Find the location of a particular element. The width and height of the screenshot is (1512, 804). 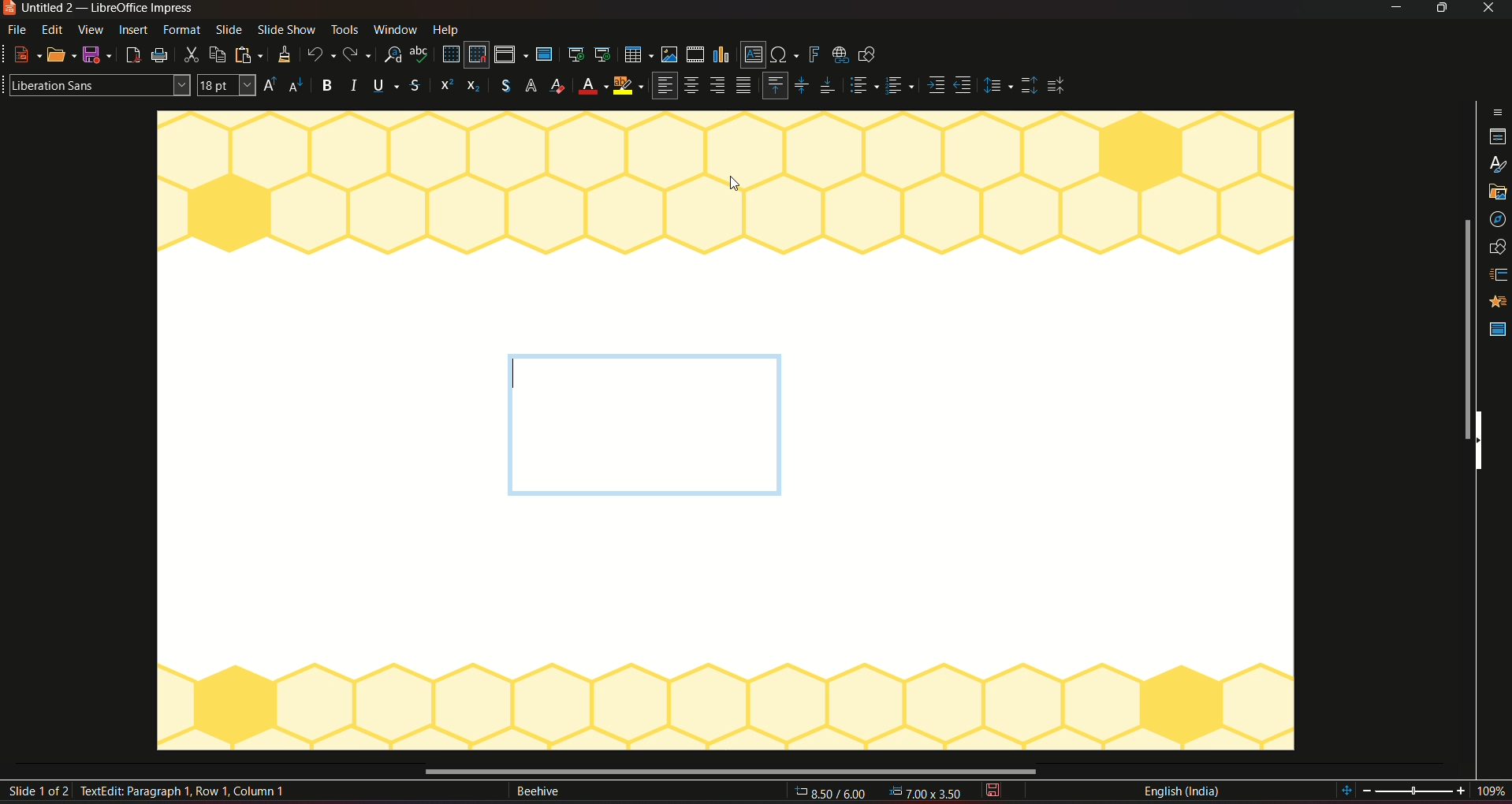

gallery is located at coordinates (1497, 163).